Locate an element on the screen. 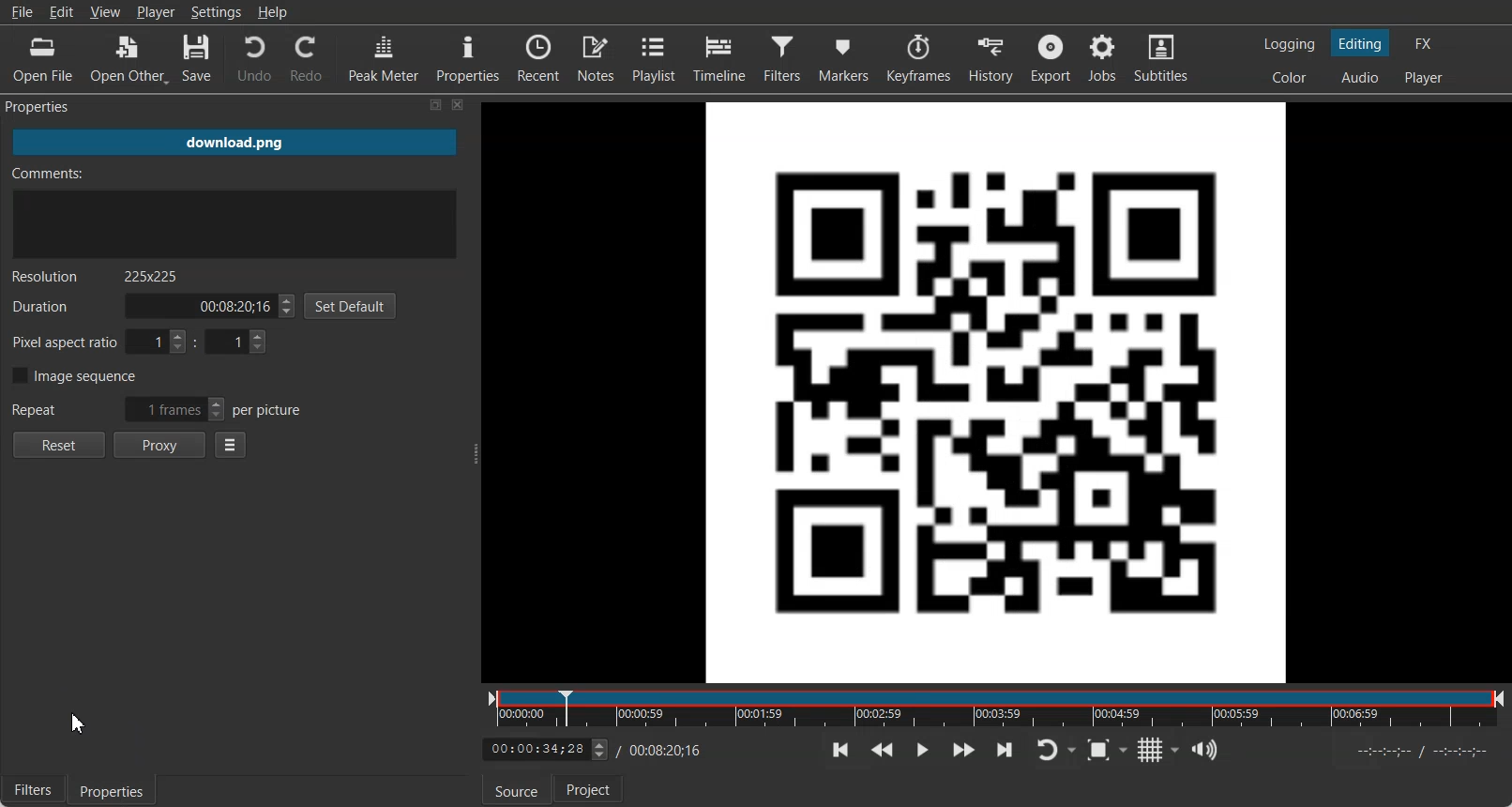 The image size is (1512, 807). Timeline is located at coordinates (719, 58).